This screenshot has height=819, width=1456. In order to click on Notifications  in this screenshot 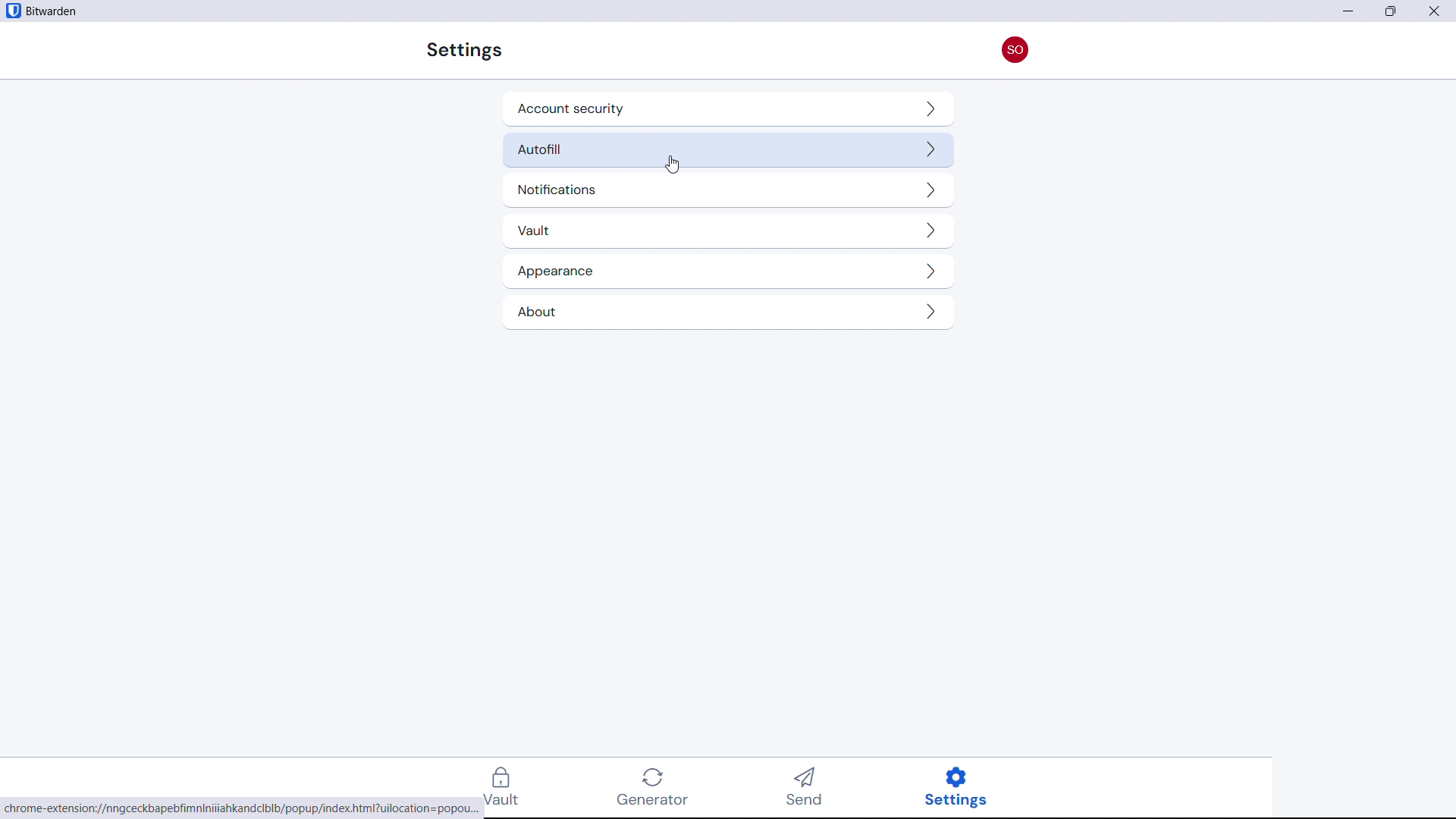, I will do `click(726, 190)`.